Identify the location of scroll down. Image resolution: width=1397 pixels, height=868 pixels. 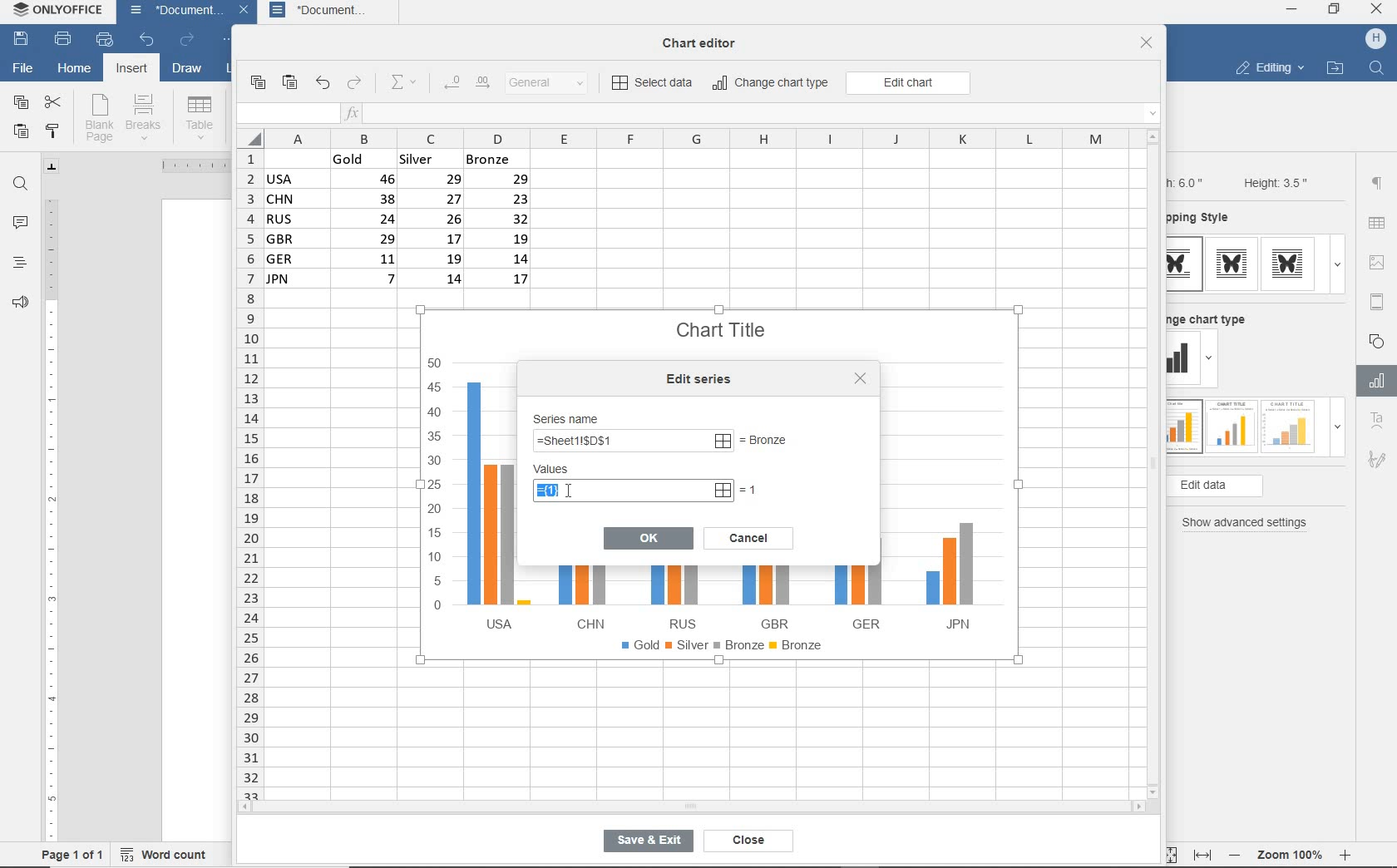
(1154, 791).